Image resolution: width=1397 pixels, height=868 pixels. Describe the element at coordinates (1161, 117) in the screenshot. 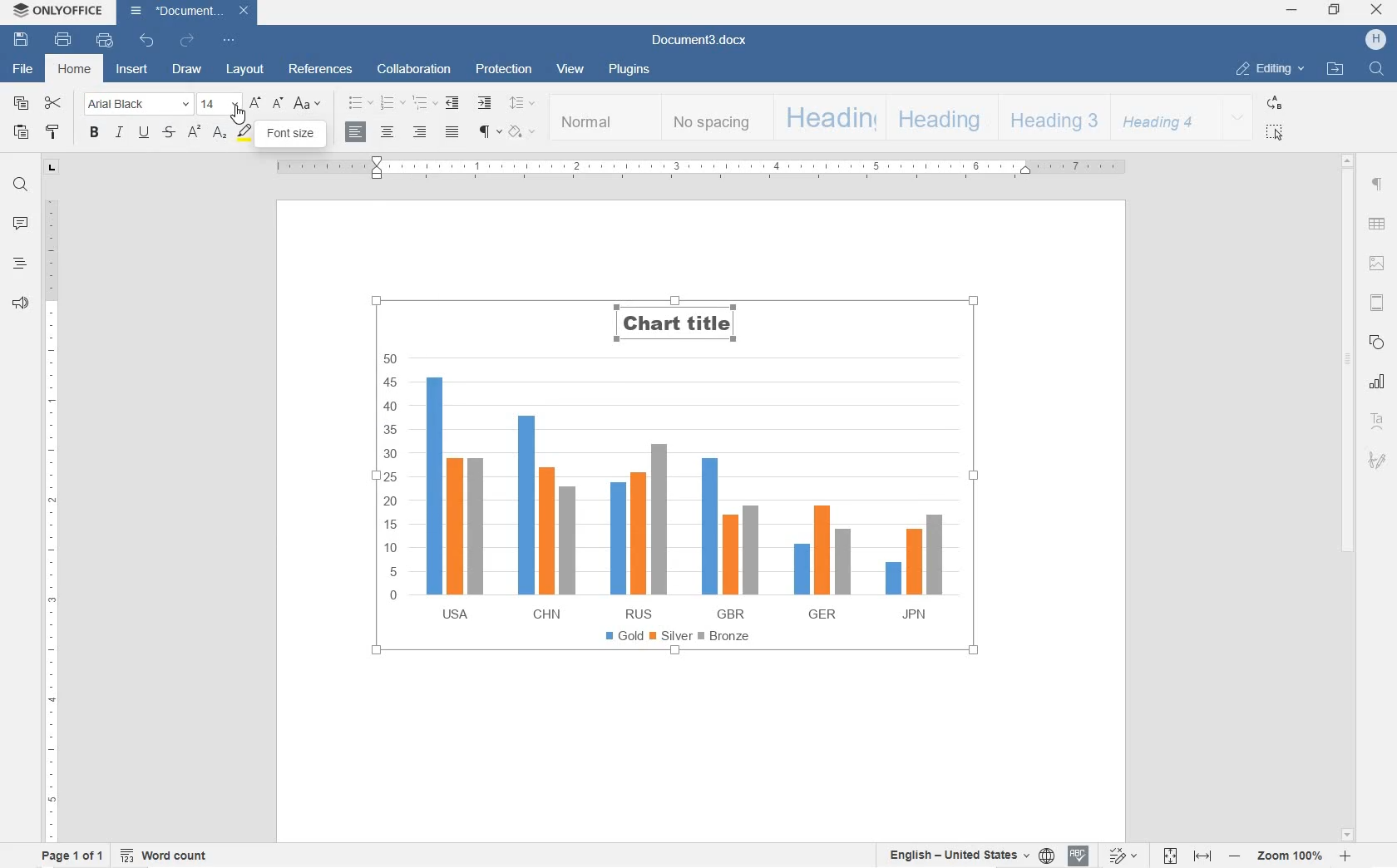

I see `HEADING 4` at that location.